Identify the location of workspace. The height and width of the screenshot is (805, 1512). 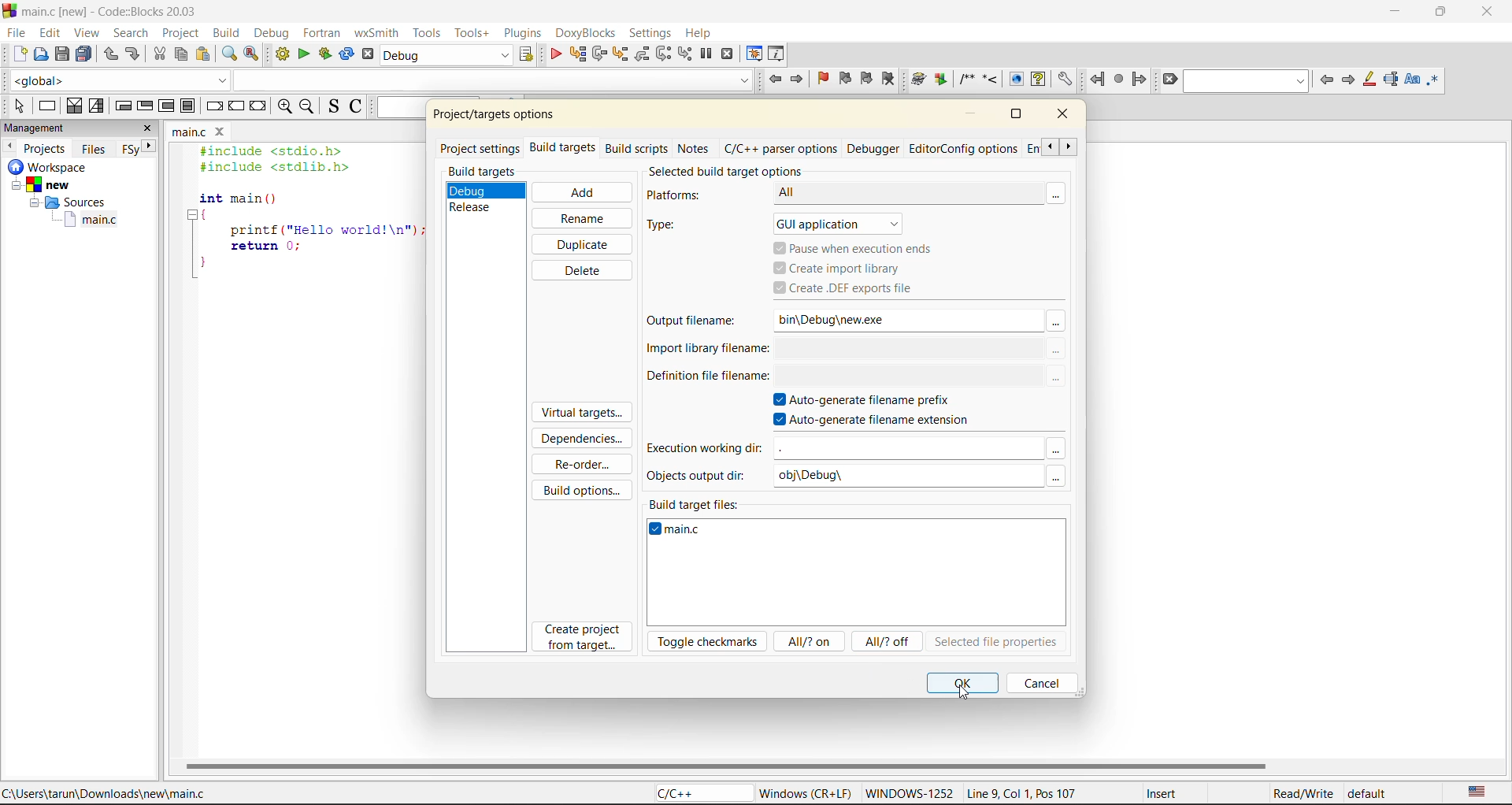
(66, 167).